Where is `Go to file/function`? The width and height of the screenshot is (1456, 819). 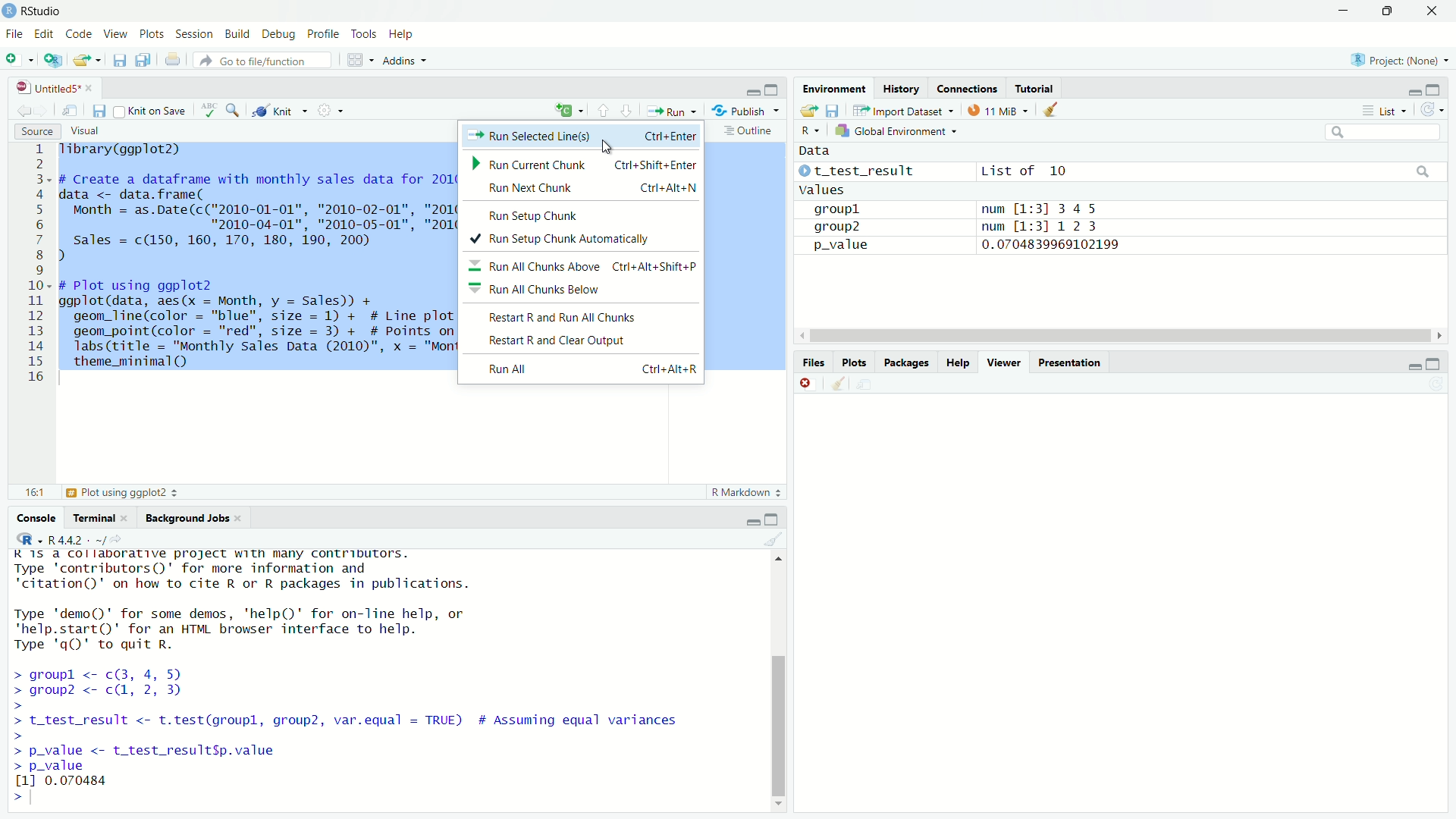 Go to file/function is located at coordinates (267, 59).